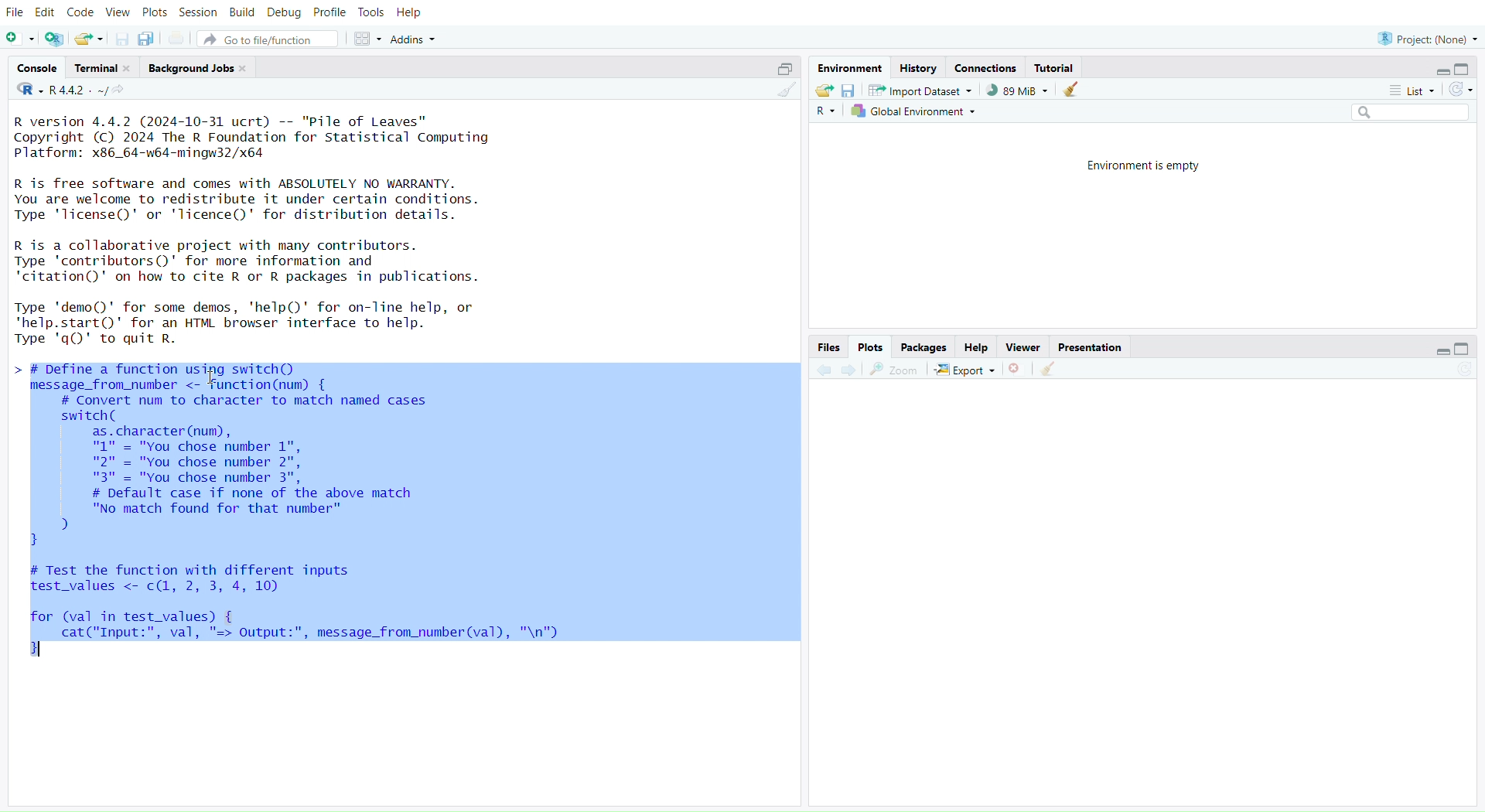 The height and width of the screenshot is (812, 1485). Describe the element at coordinates (1411, 90) in the screenshot. I see `List` at that location.